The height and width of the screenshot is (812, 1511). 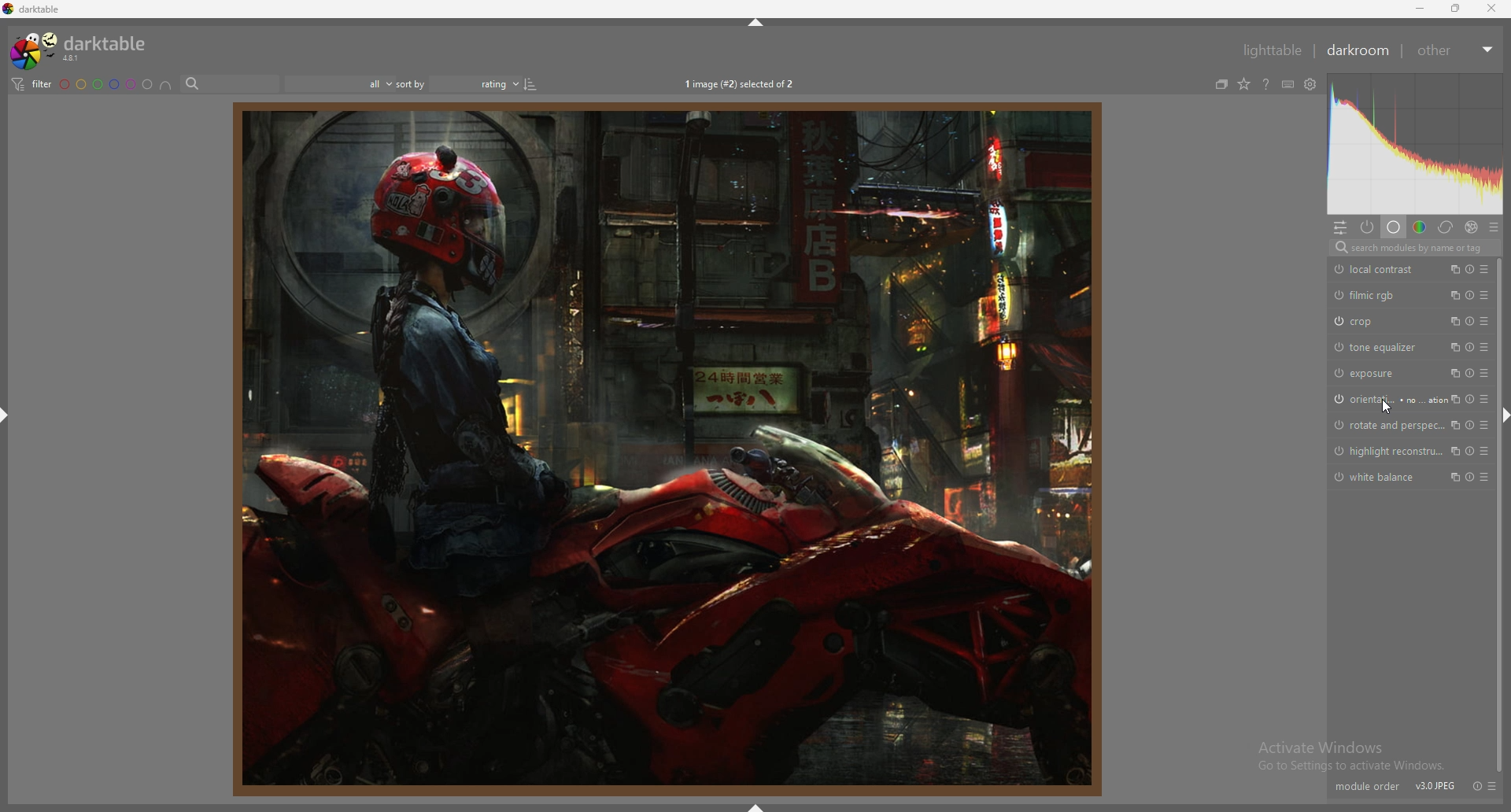 What do you see at coordinates (1470, 294) in the screenshot?
I see `reset` at bounding box center [1470, 294].